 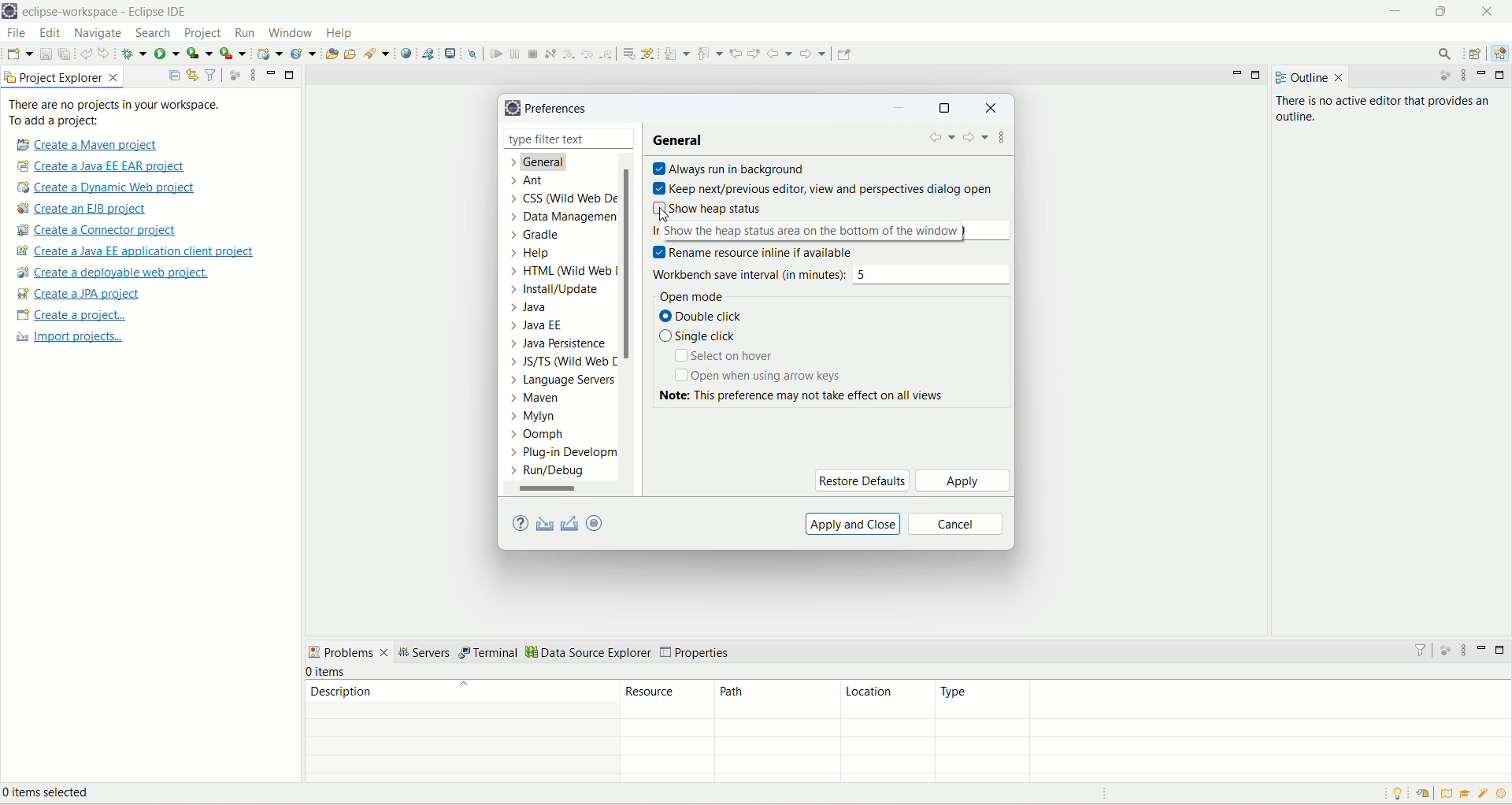 I want to click on focus on active task, so click(x=235, y=74).